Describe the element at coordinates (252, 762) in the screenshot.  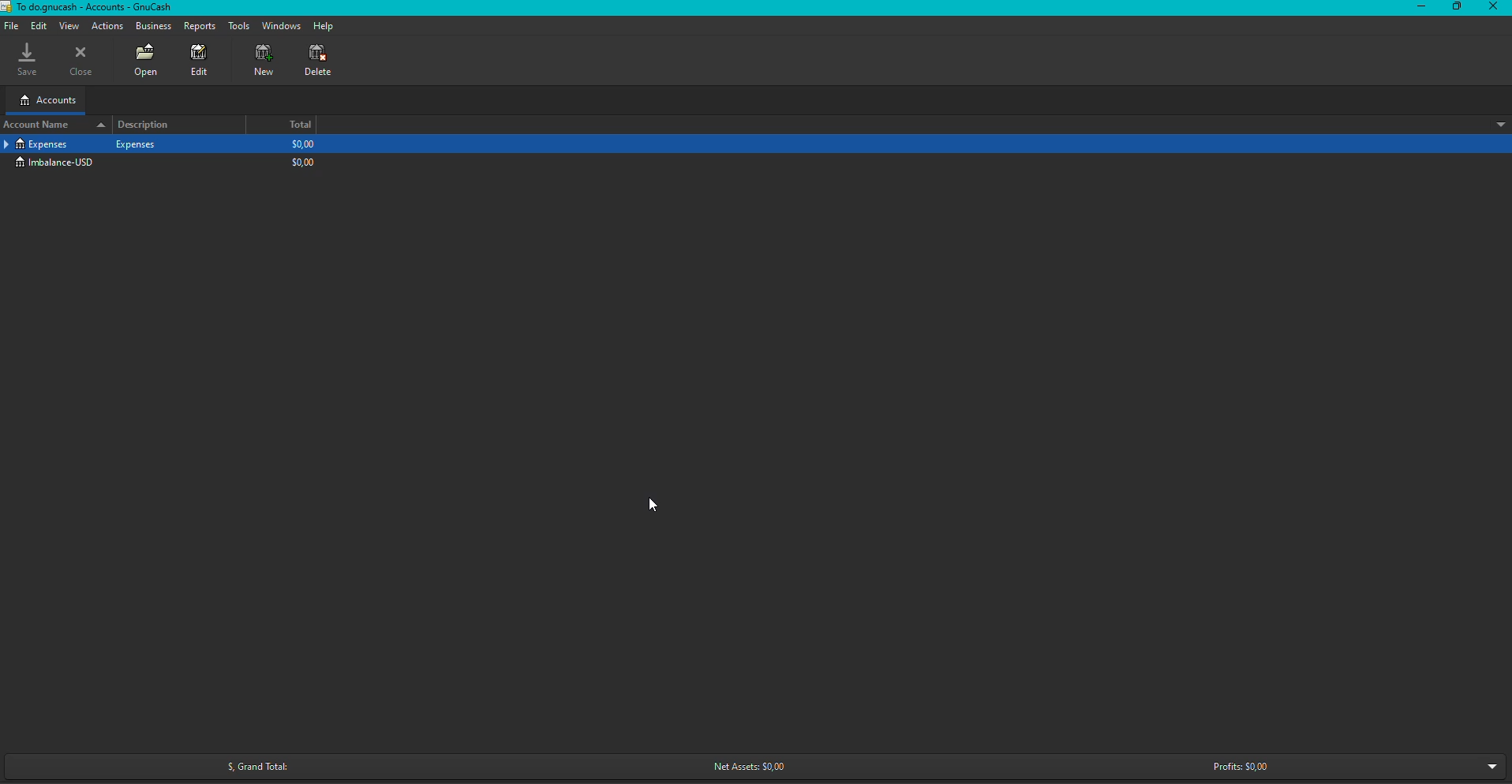
I see `Grand Total` at that location.